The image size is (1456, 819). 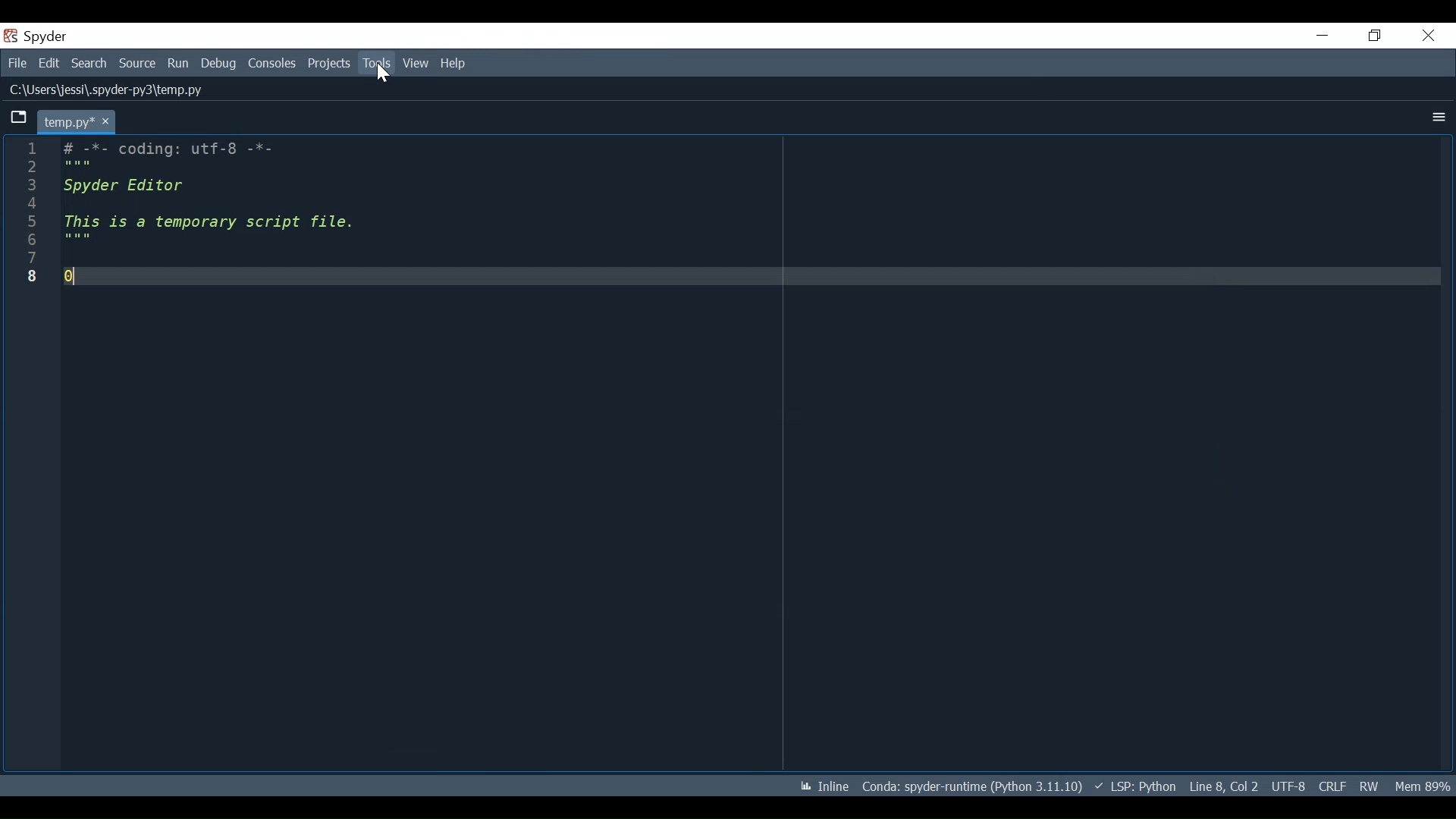 I want to click on More Options, so click(x=1437, y=115).